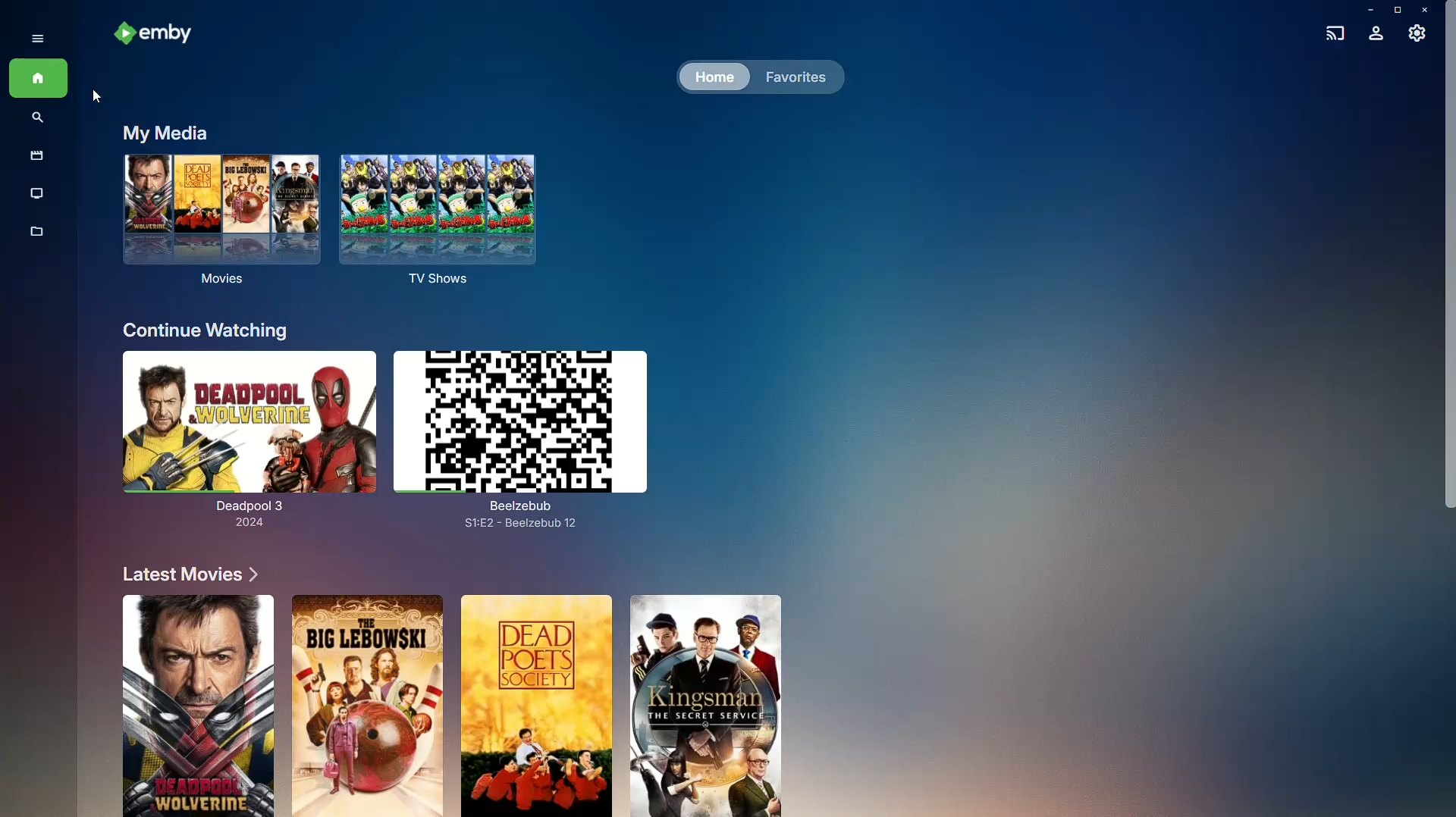 Image resolution: width=1456 pixels, height=817 pixels. I want to click on Thumbnail changed, so click(526, 439).